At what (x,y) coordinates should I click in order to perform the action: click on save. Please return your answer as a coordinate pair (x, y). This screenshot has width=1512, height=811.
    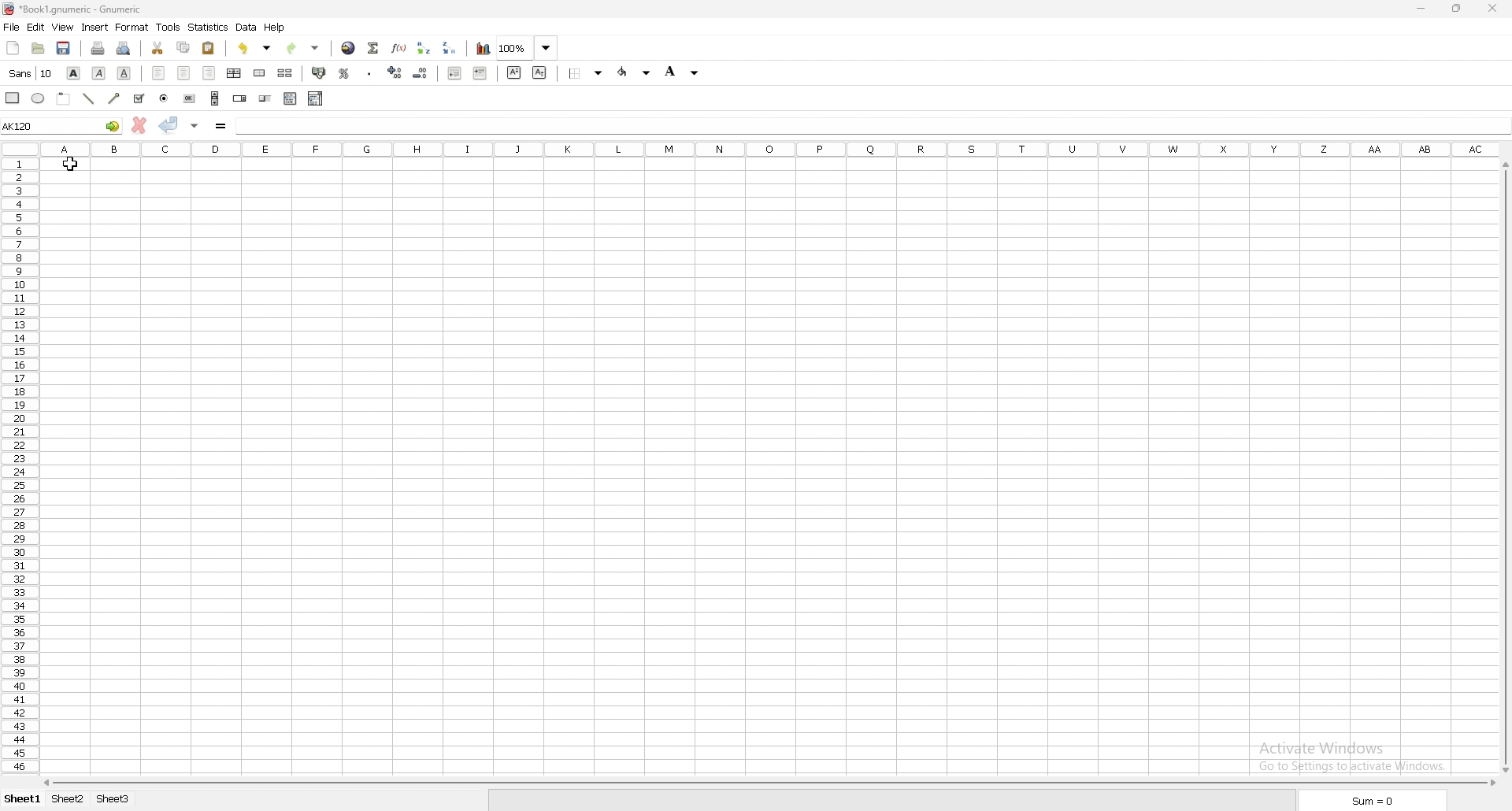
    Looking at the image, I should click on (64, 48).